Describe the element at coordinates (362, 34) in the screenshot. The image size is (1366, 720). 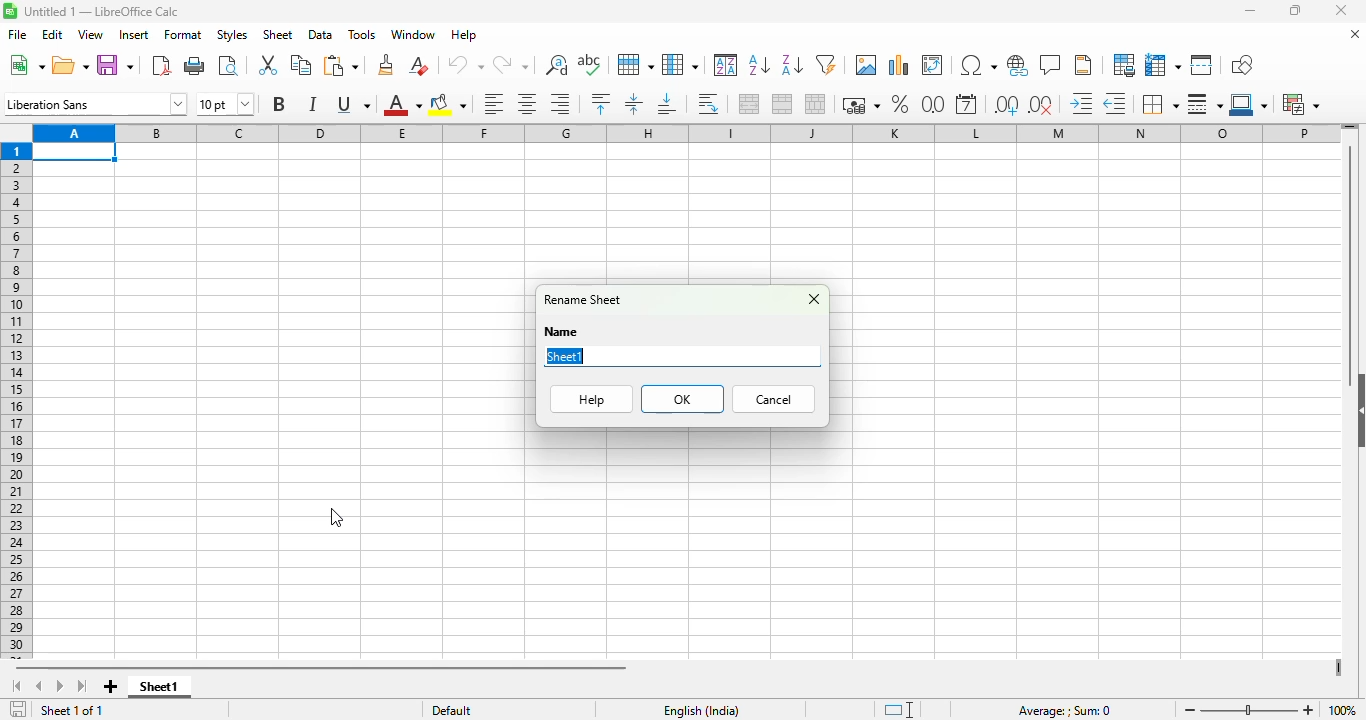
I see `tools` at that location.